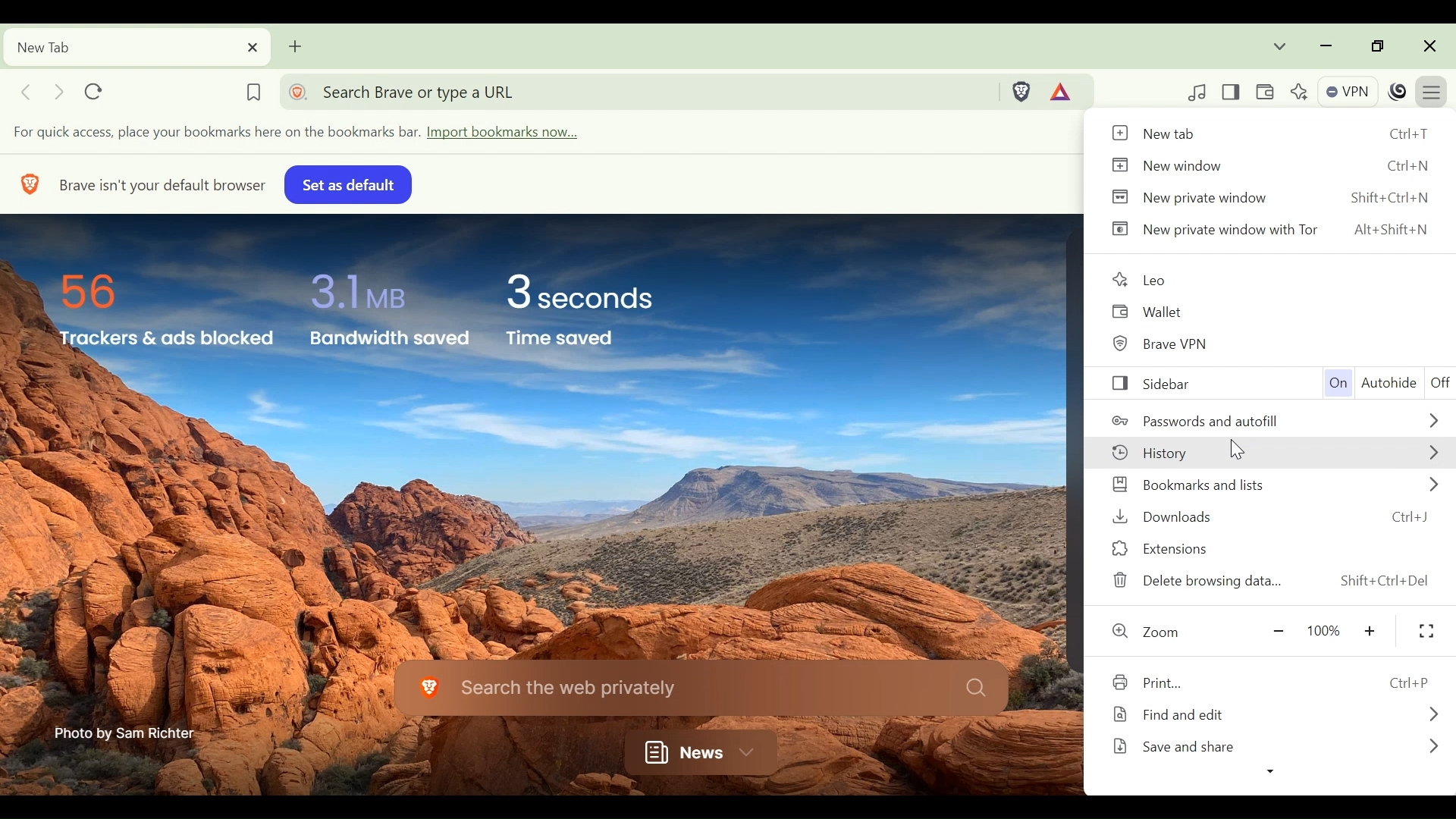 This screenshot has height=819, width=1456. What do you see at coordinates (97, 88) in the screenshot?
I see `Reload` at bounding box center [97, 88].